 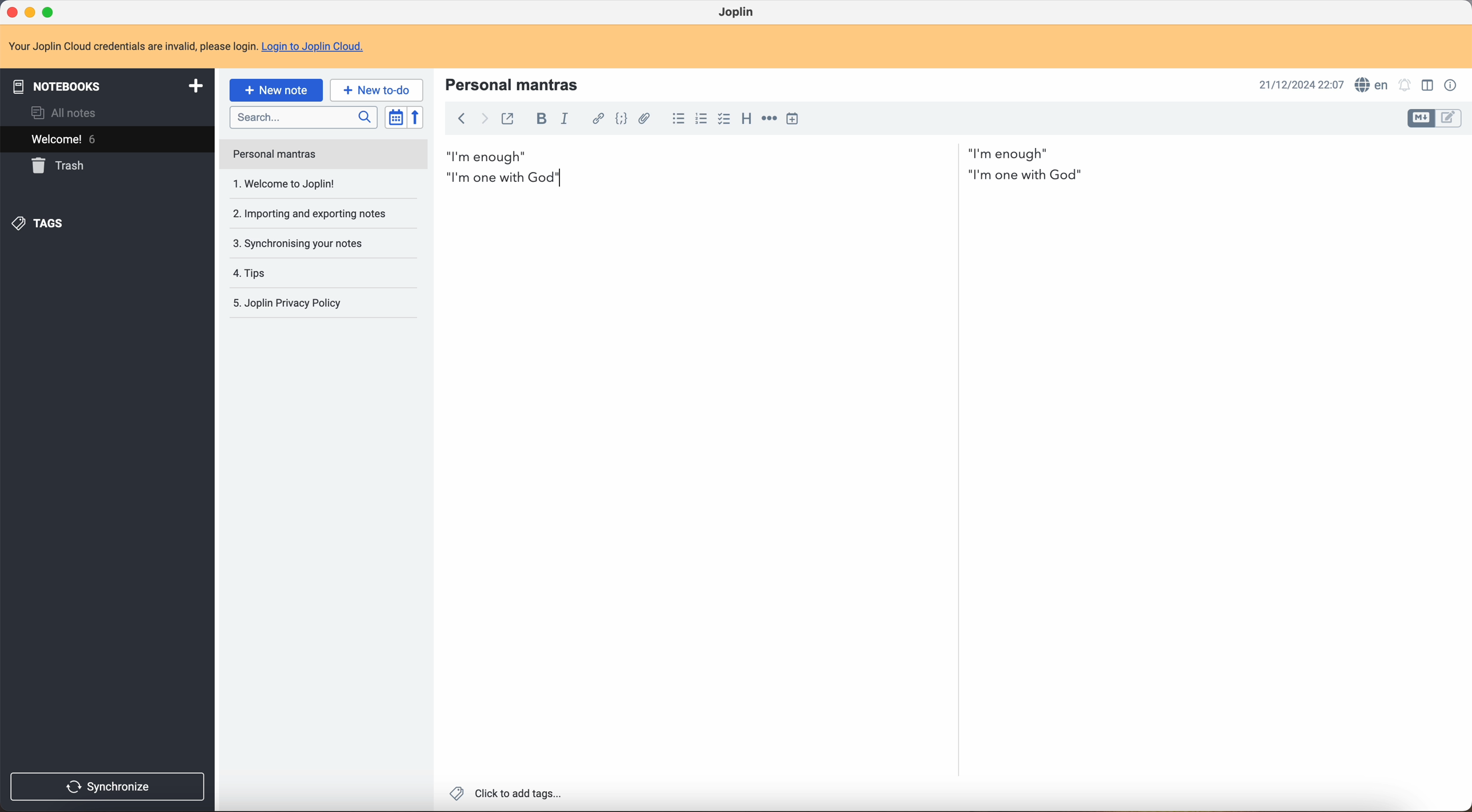 I want to click on personal mantras title, so click(x=516, y=83).